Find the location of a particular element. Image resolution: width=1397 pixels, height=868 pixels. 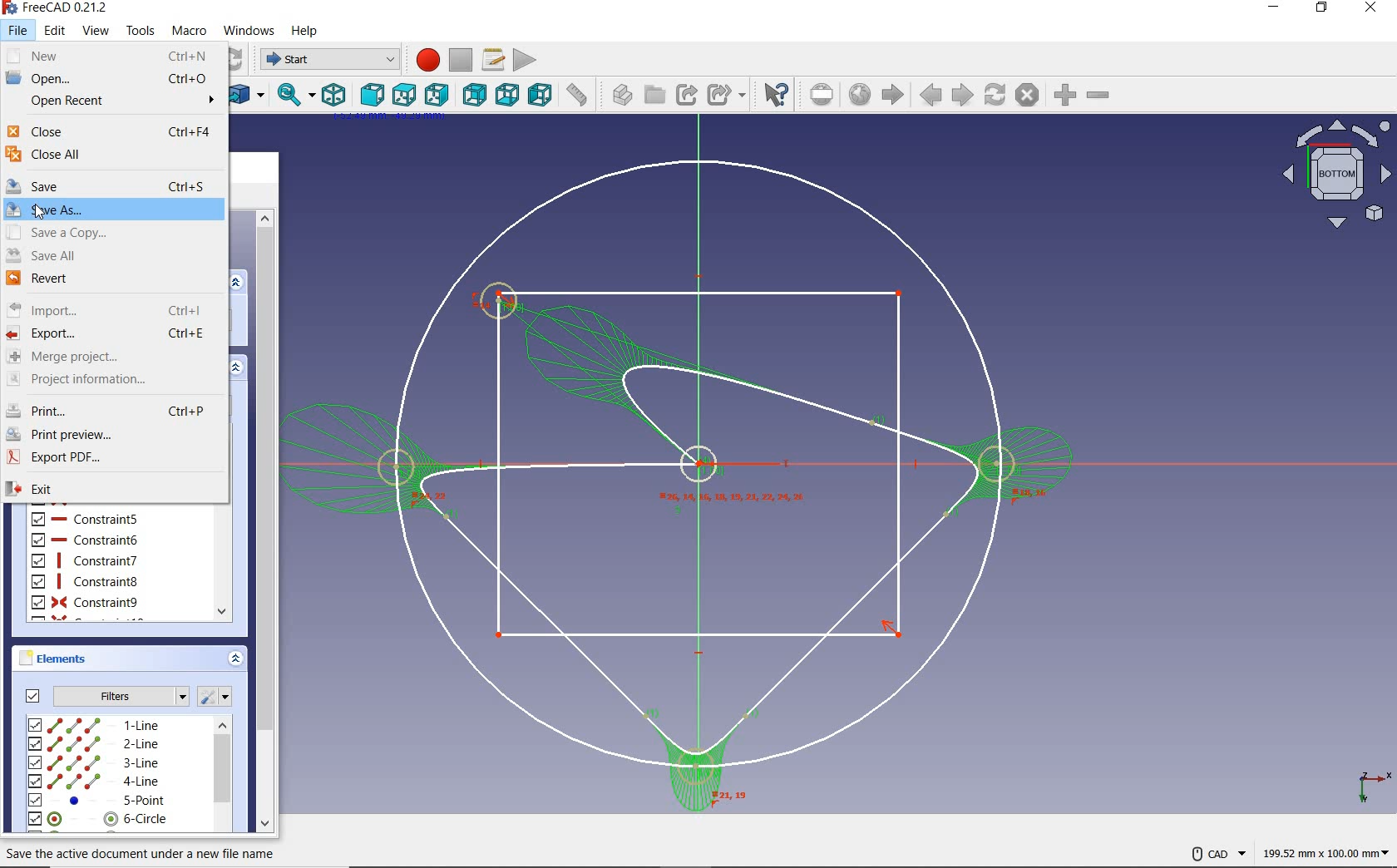

close is located at coordinates (1372, 10).